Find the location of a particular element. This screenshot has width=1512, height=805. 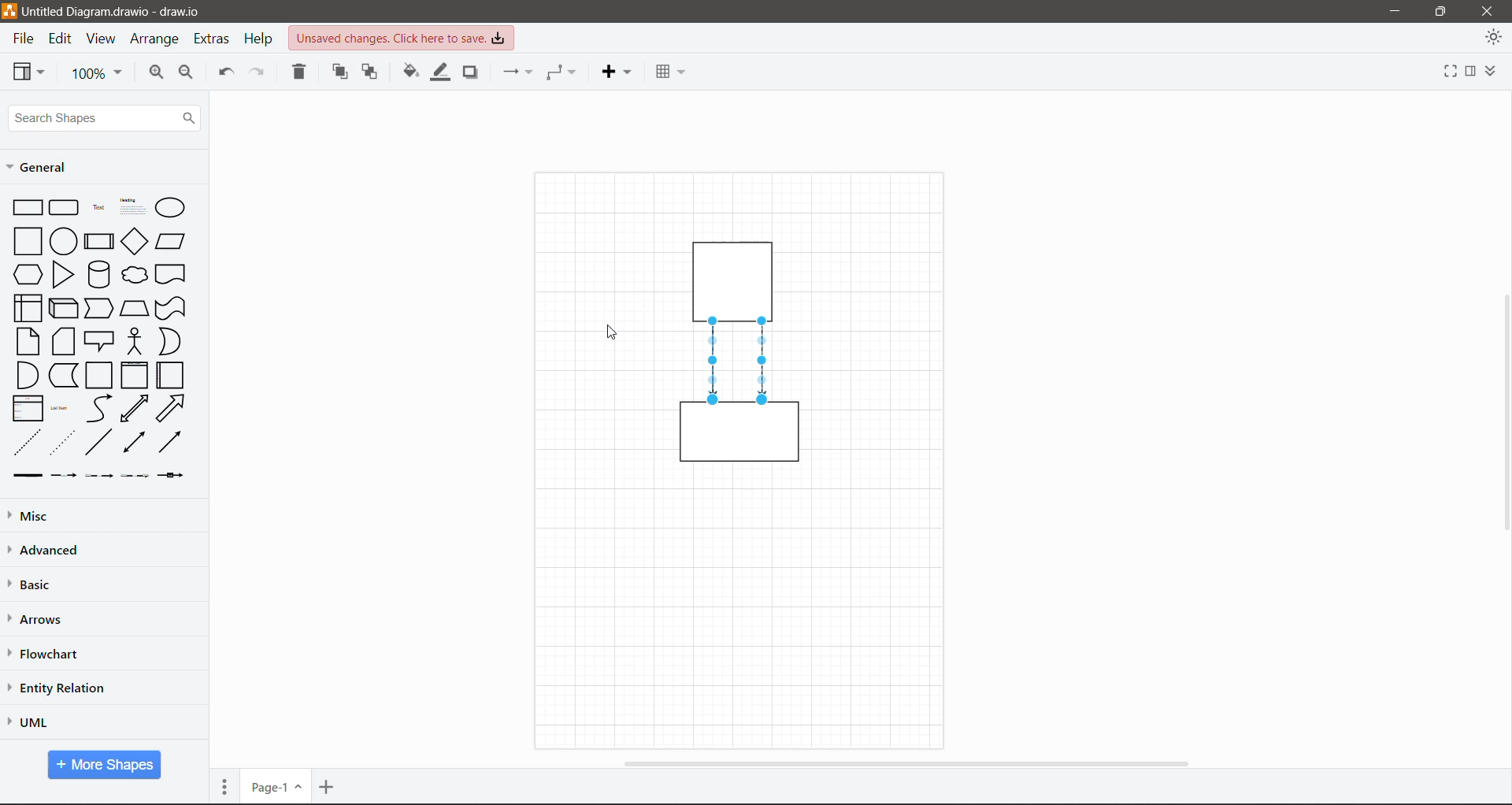

File is located at coordinates (22, 39).